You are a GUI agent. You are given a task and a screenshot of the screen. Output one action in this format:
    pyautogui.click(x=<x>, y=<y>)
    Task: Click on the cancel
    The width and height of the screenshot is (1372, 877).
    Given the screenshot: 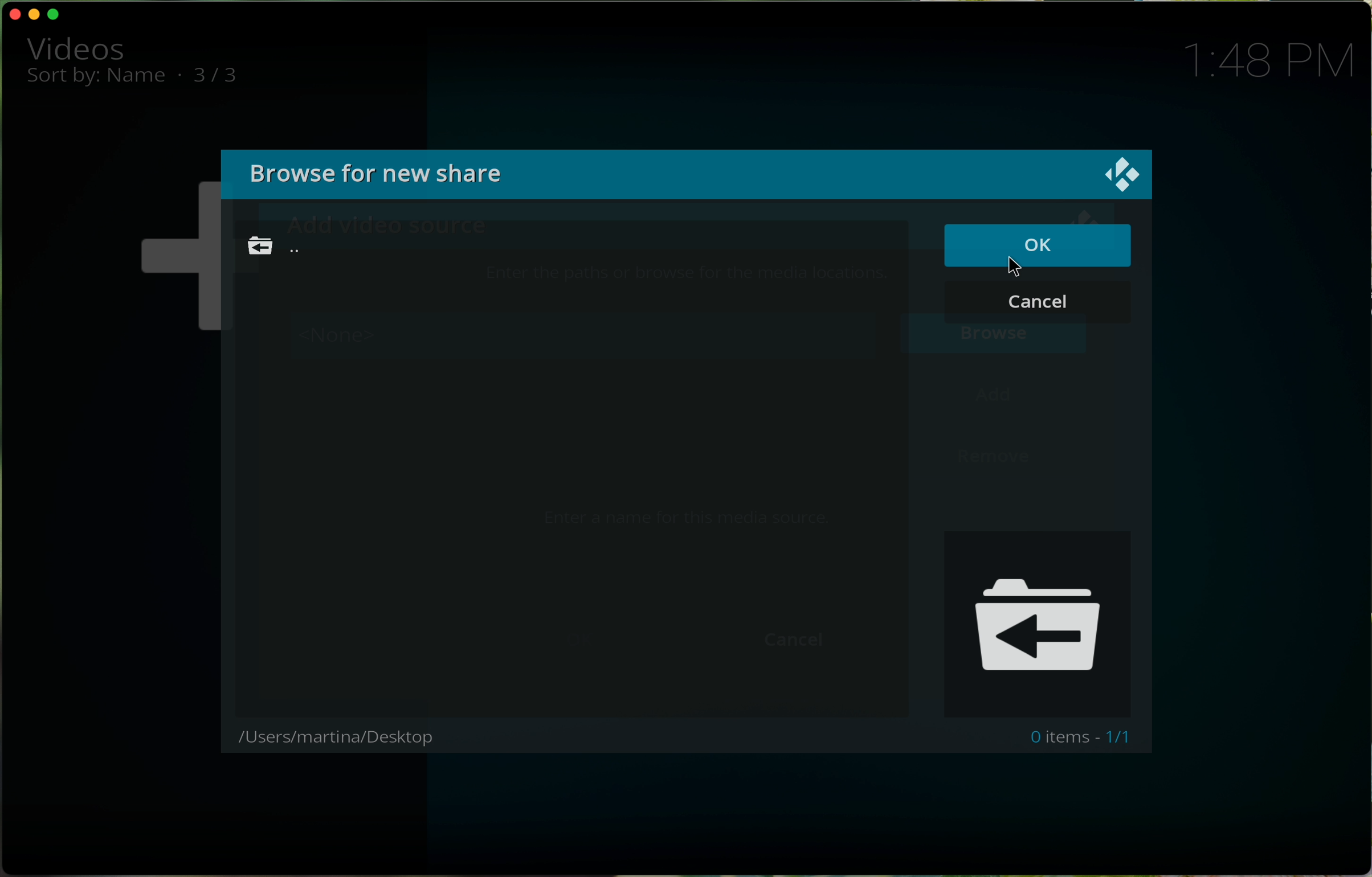 What is the action you would take?
    pyautogui.click(x=1038, y=305)
    